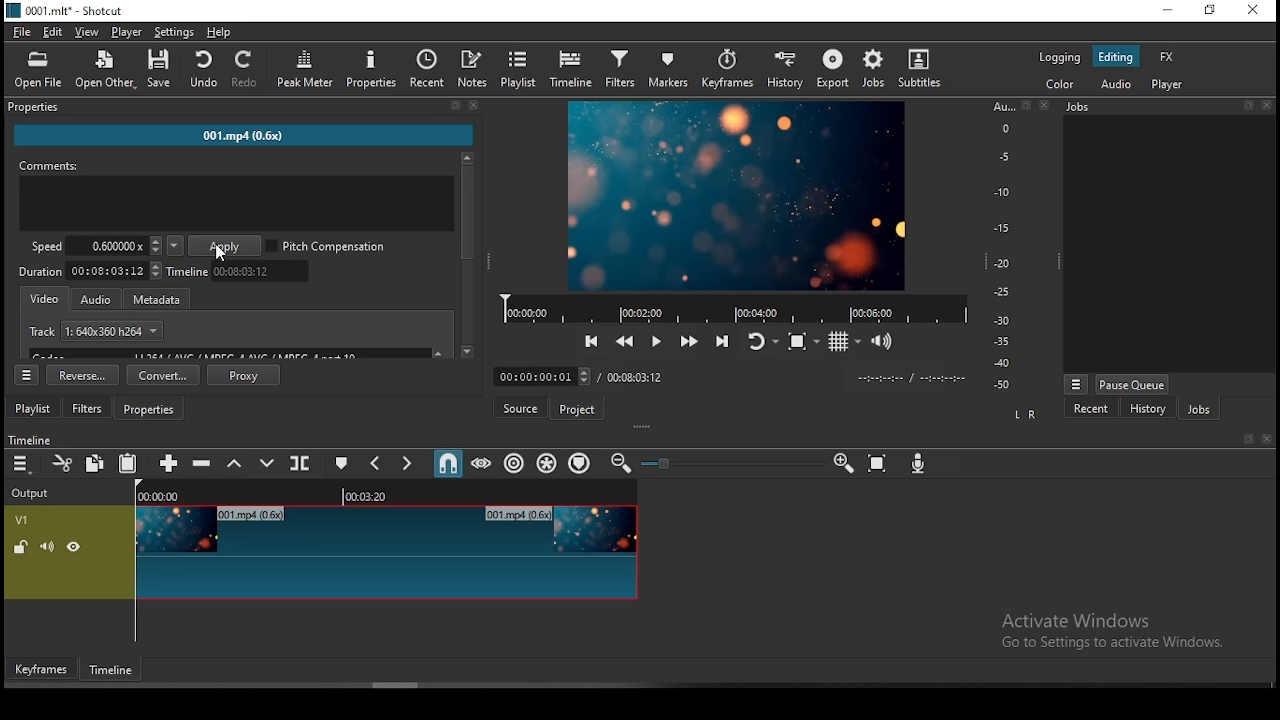 The height and width of the screenshot is (720, 1280). Describe the element at coordinates (267, 464) in the screenshot. I see `overwrite` at that location.